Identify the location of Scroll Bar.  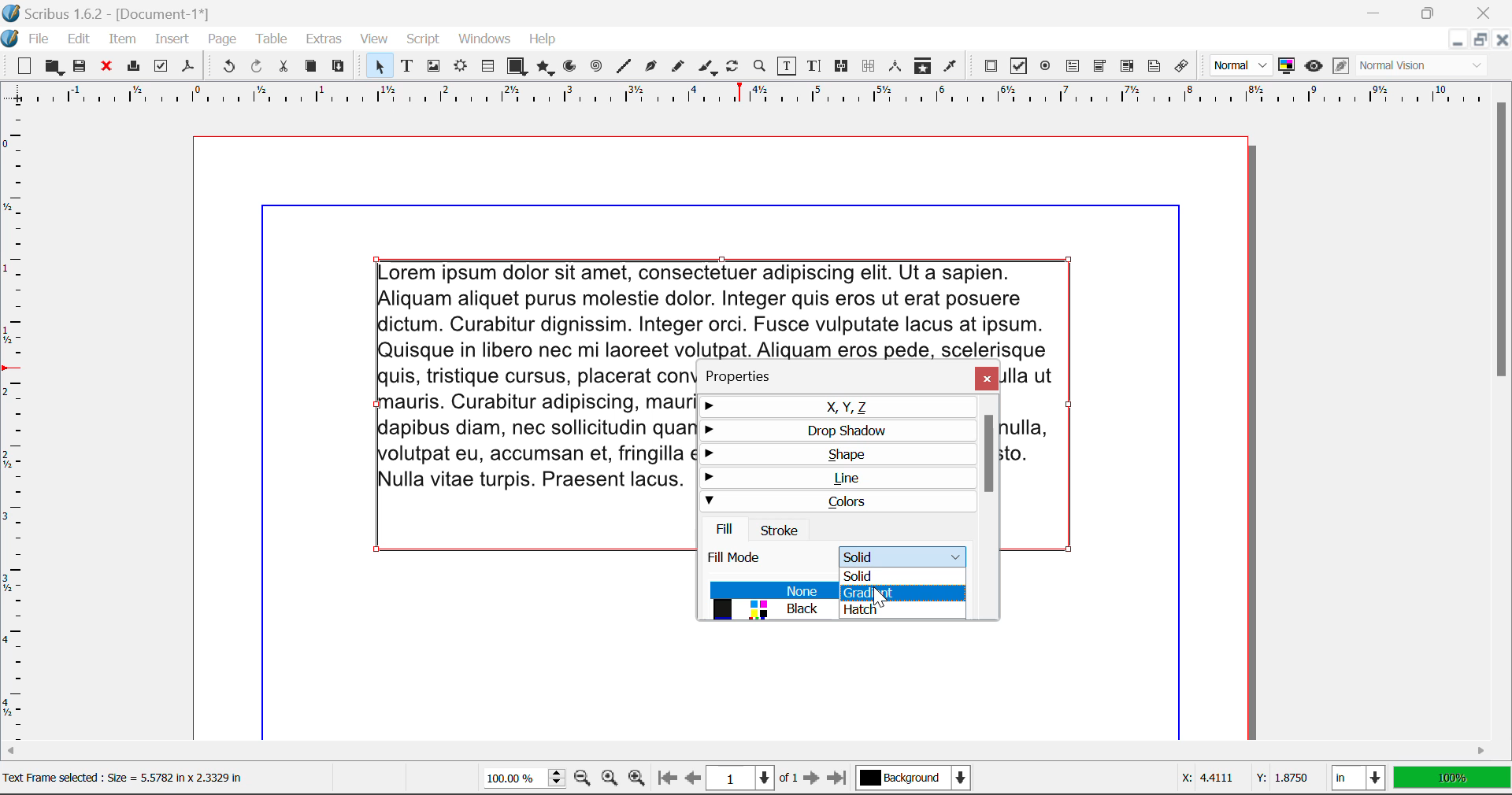
(758, 751).